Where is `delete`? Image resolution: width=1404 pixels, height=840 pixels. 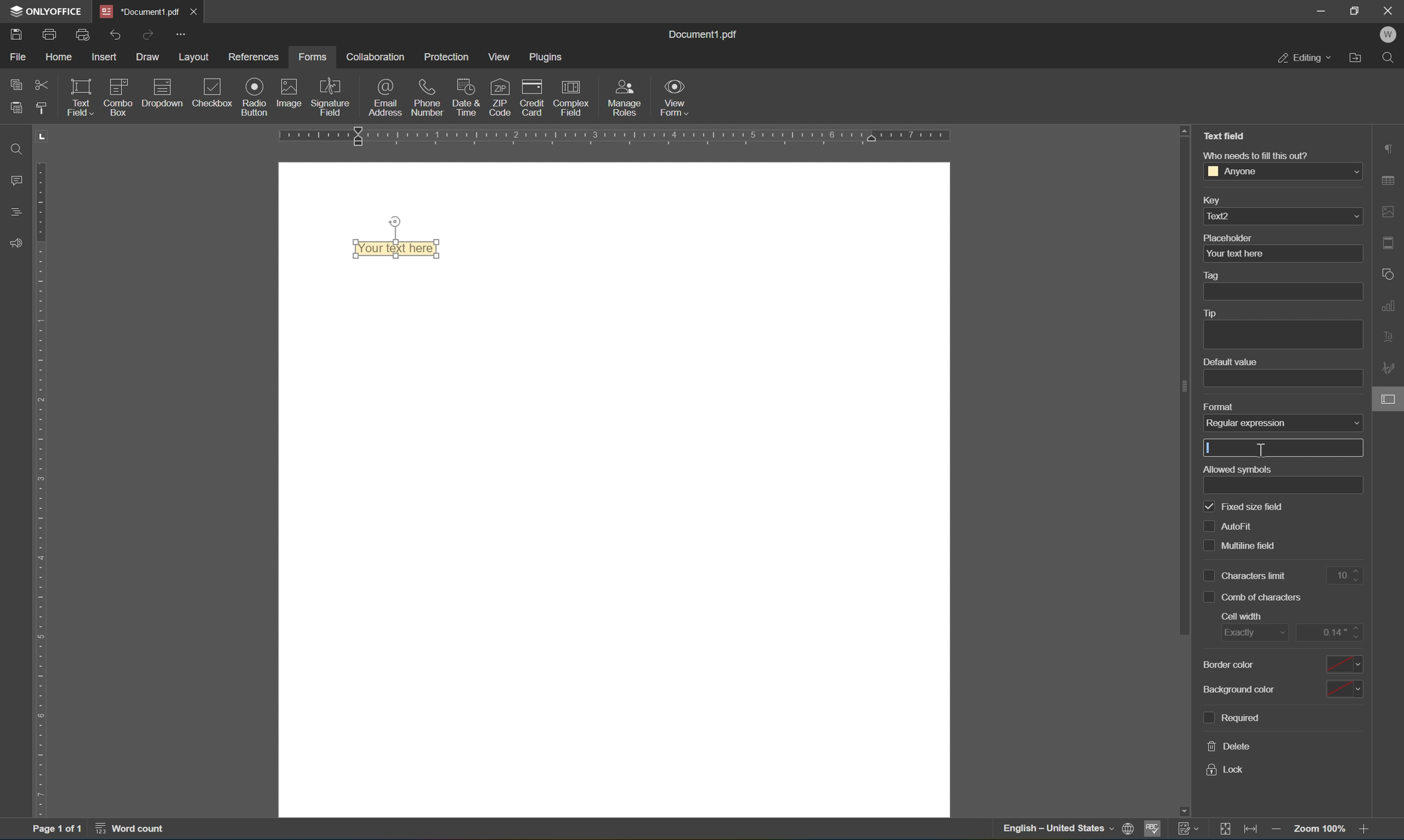
delete is located at coordinates (1228, 747).